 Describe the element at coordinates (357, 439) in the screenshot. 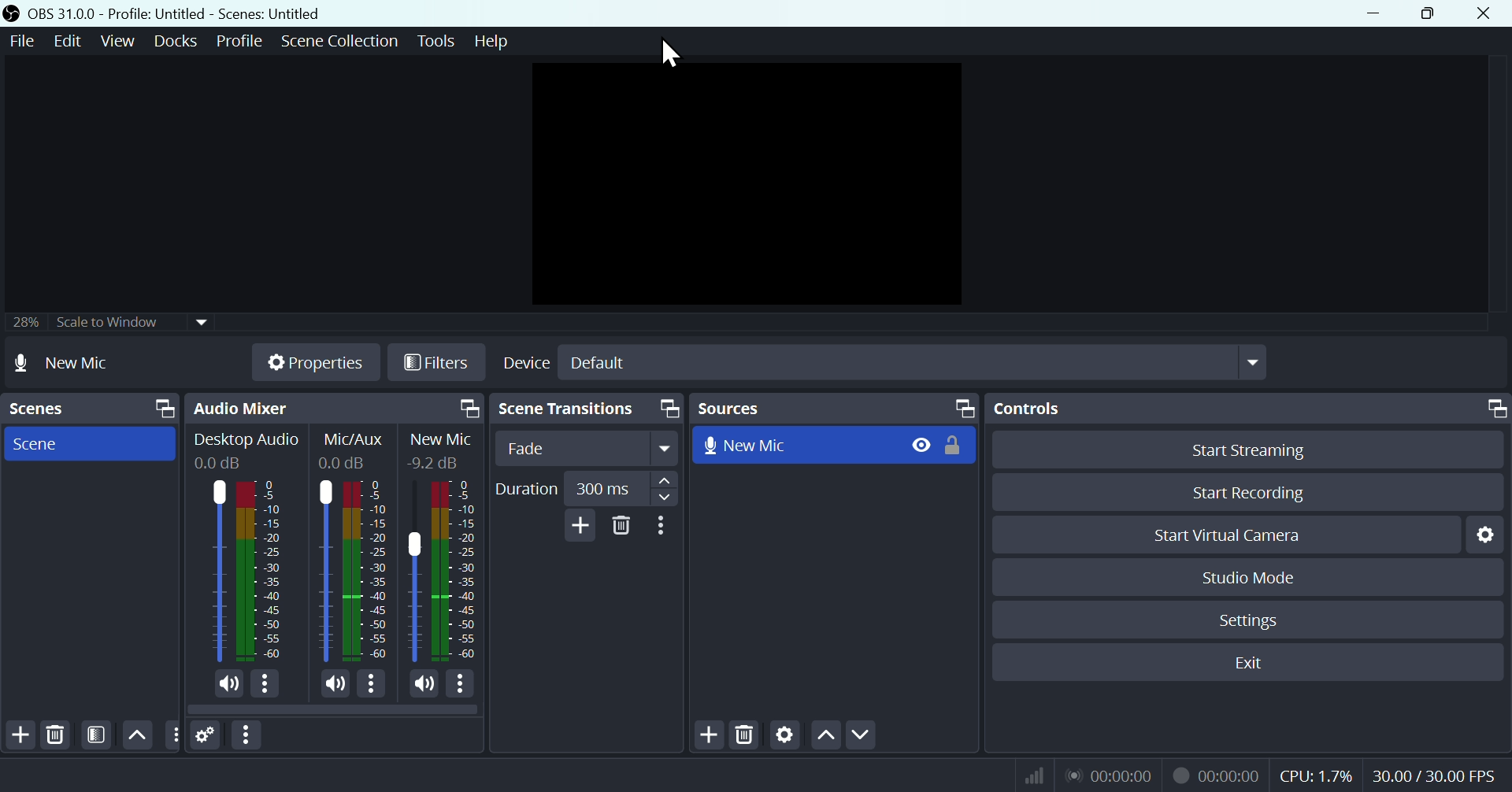

I see `` at that location.